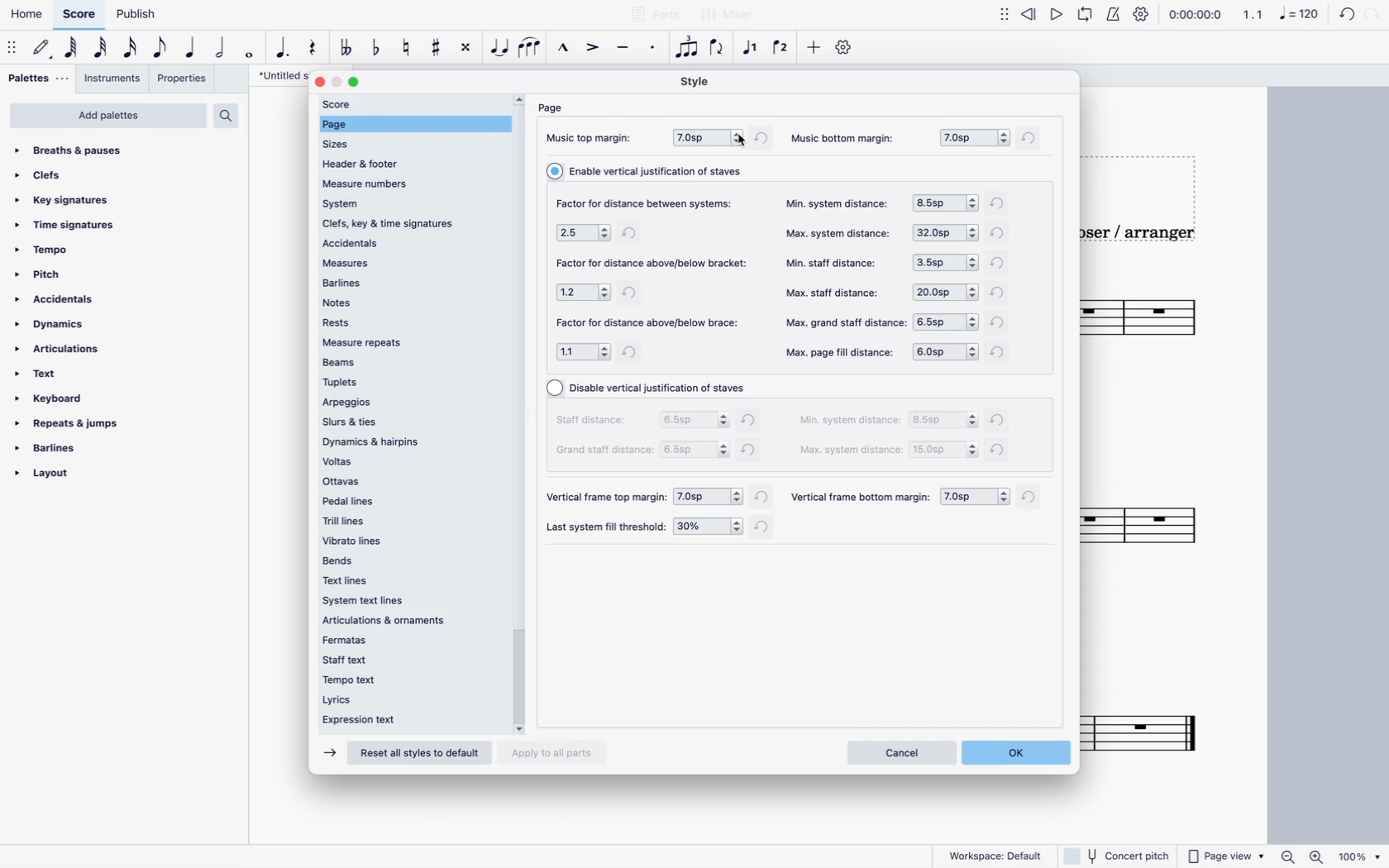 This screenshot has height=868, width=1389. What do you see at coordinates (129, 50) in the screenshot?
I see `16th note` at bounding box center [129, 50].